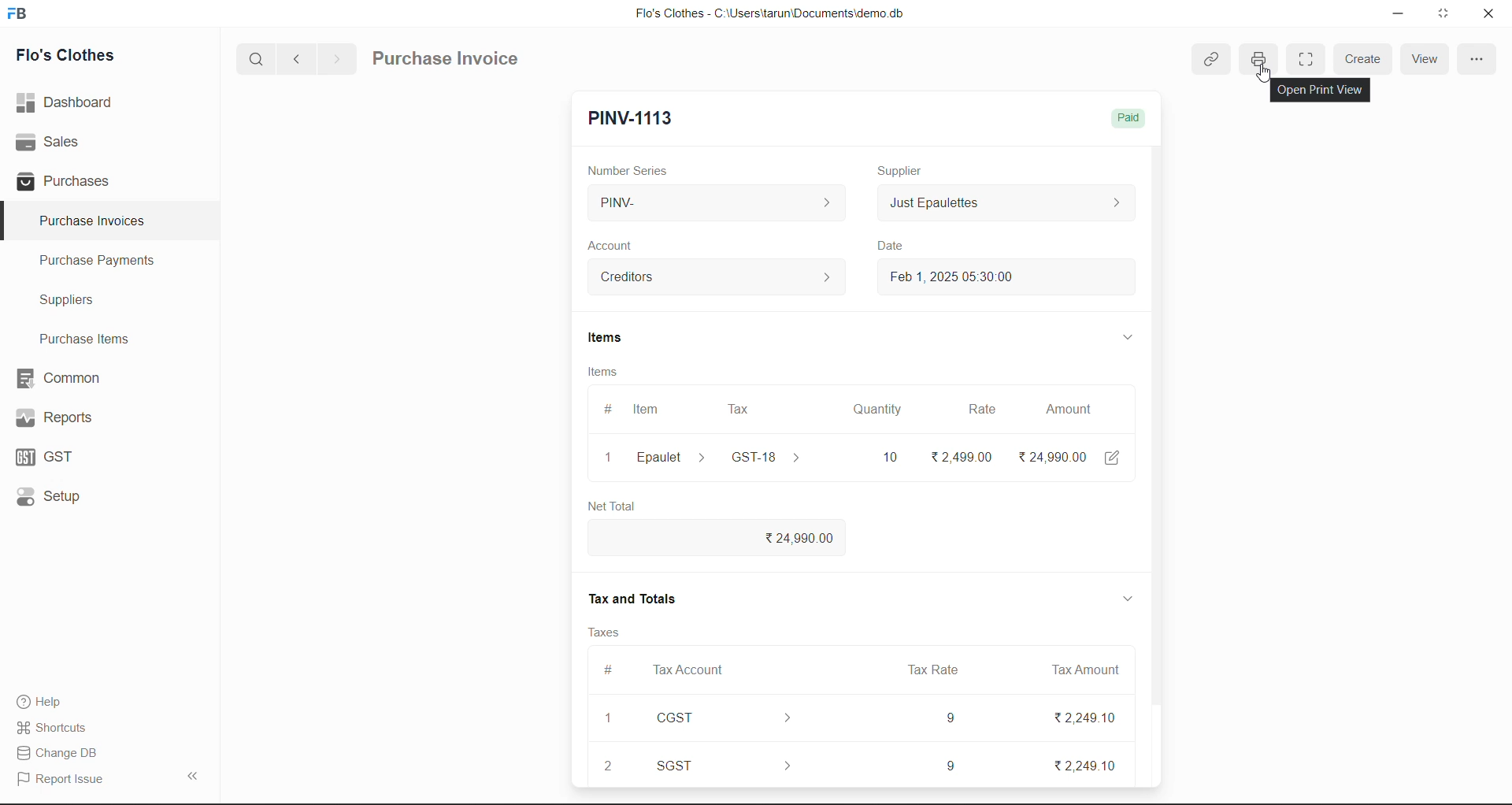 The width and height of the screenshot is (1512, 805). Describe the element at coordinates (626, 247) in the screenshot. I see `Account` at that location.